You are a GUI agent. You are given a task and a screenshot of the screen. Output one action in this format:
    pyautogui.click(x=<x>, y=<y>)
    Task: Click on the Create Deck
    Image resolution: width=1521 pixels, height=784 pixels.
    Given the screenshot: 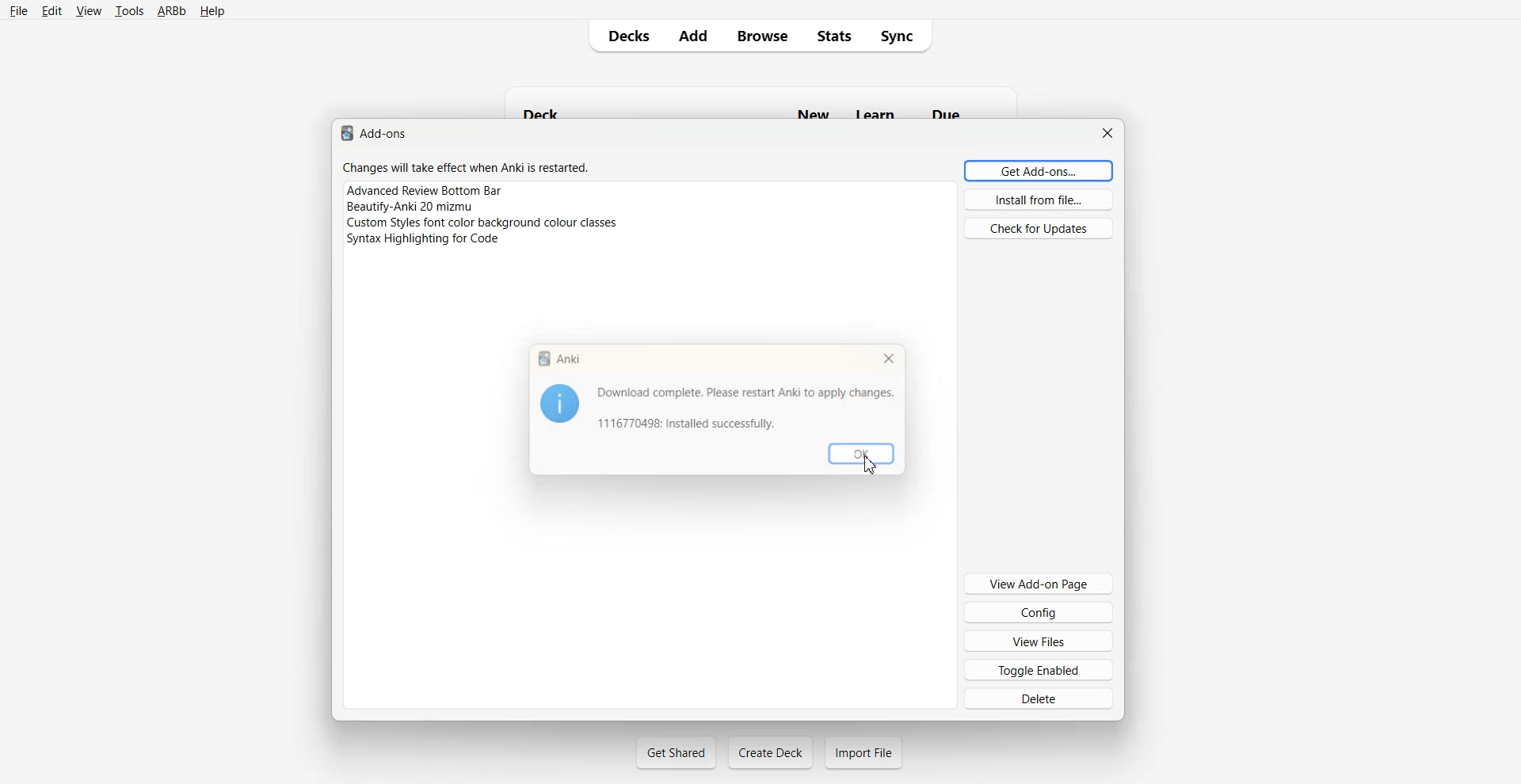 What is the action you would take?
    pyautogui.click(x=771, y=753)
    